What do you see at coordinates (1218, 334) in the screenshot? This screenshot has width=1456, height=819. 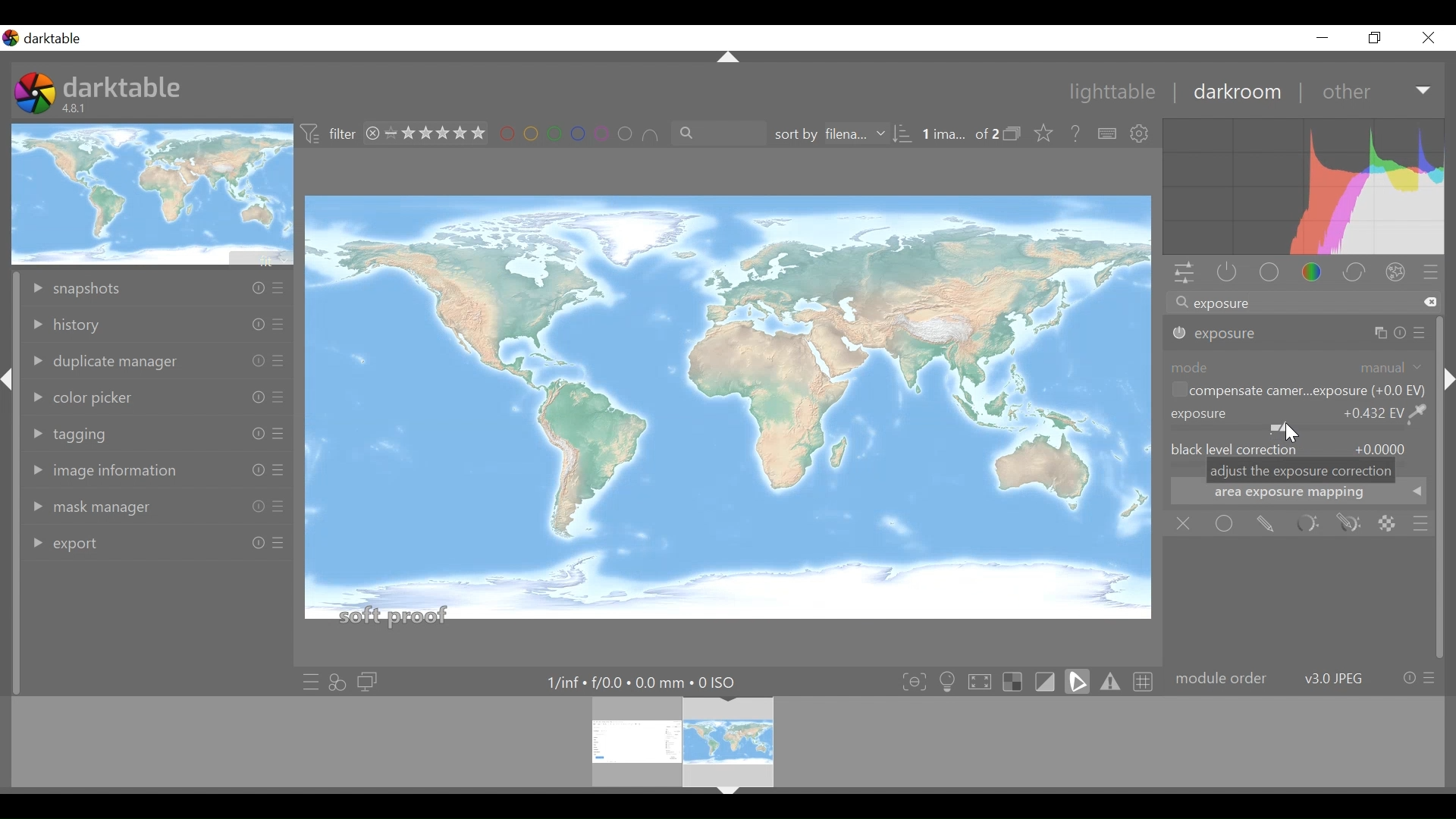 I see `exposure correction` at bounding box center [1218, 334].